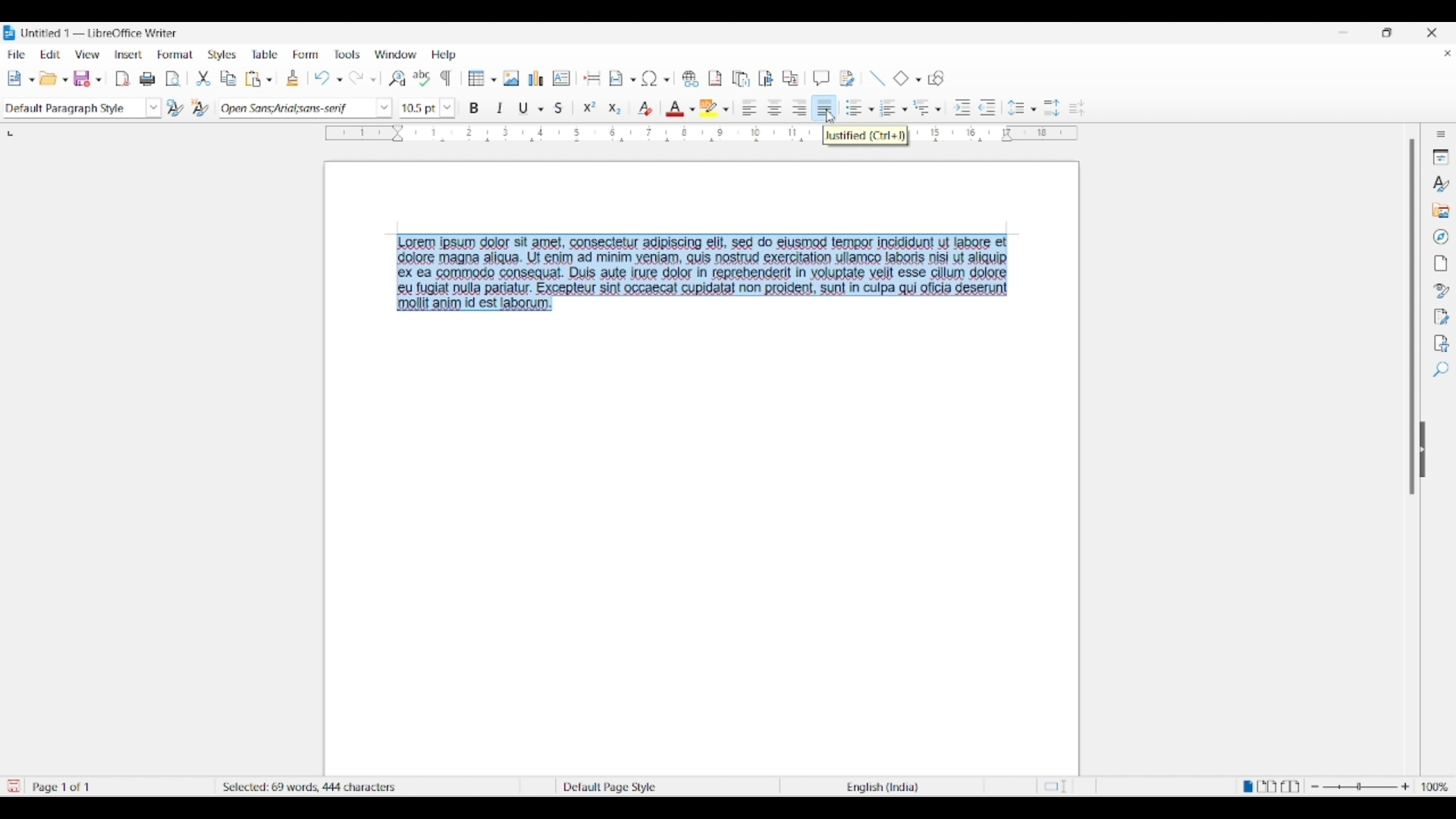 This screenshot has height=819, width=1456. What do you see at coordinates (295, 108) in the screenshot?
I see `Manually change font` at bounding box center [295, 108].